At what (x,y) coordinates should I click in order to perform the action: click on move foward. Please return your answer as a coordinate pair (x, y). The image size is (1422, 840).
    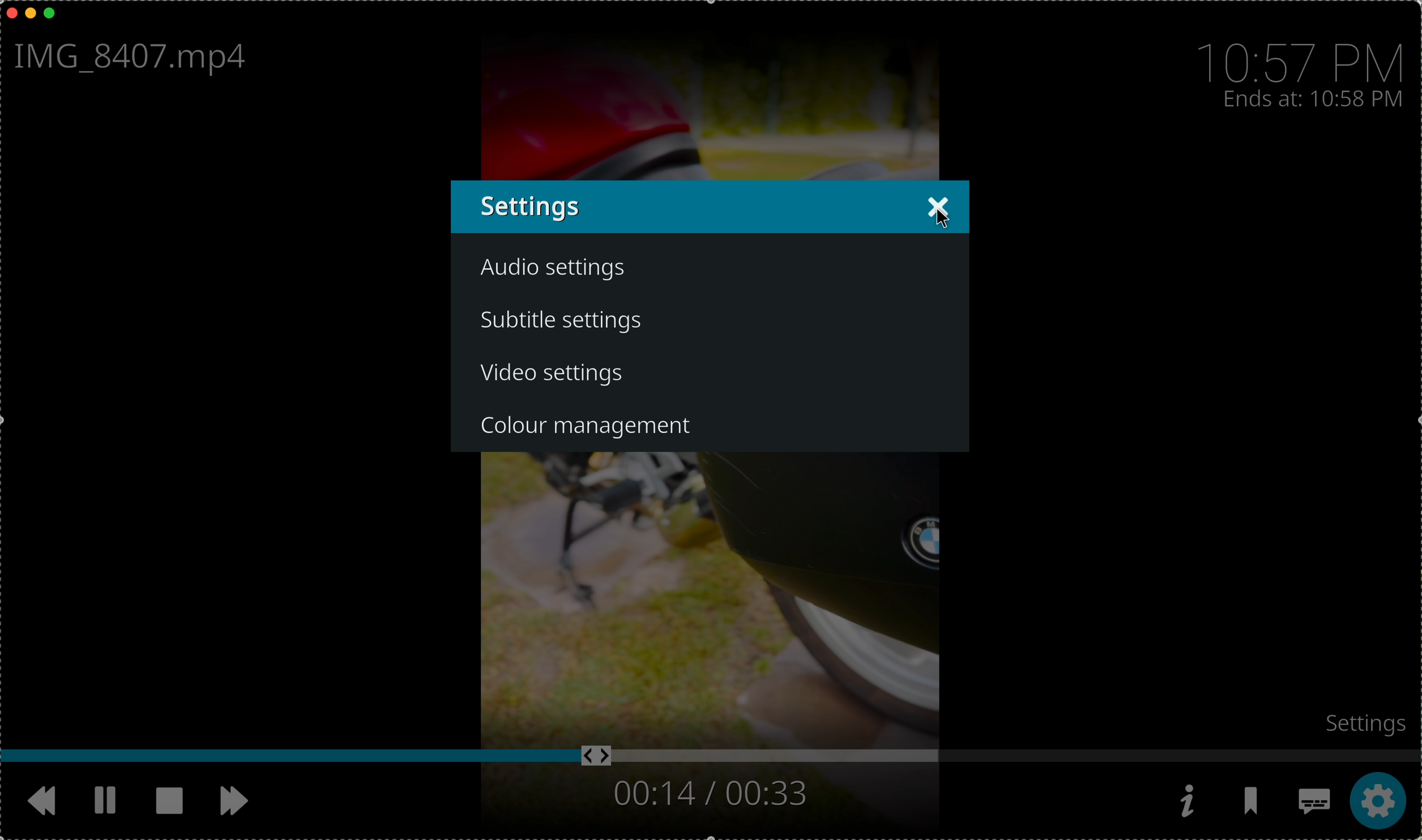
    Looking at the image, I should click on (234, 802).